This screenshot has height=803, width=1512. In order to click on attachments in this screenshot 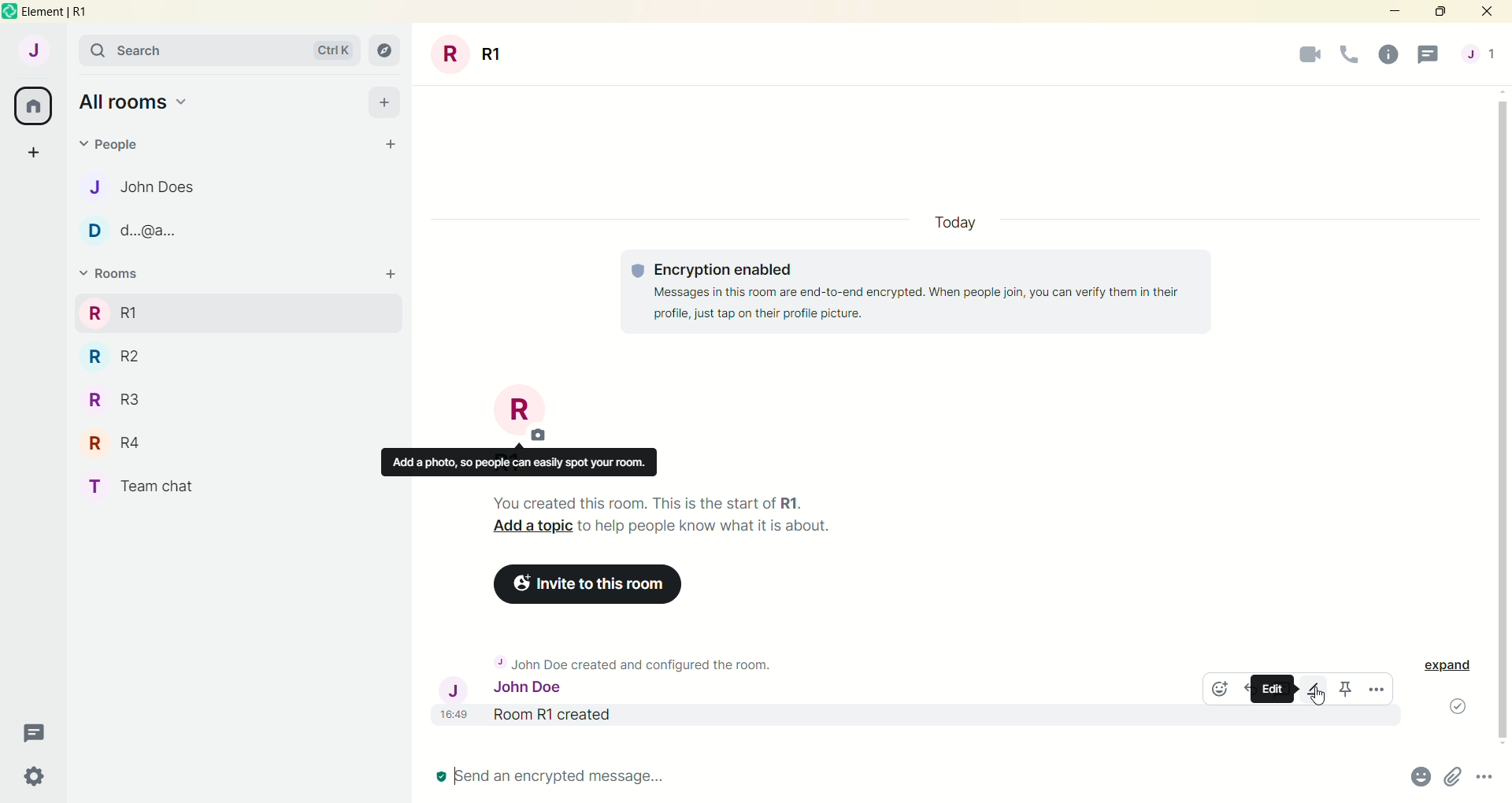, I will do `click(1453, 779)`.